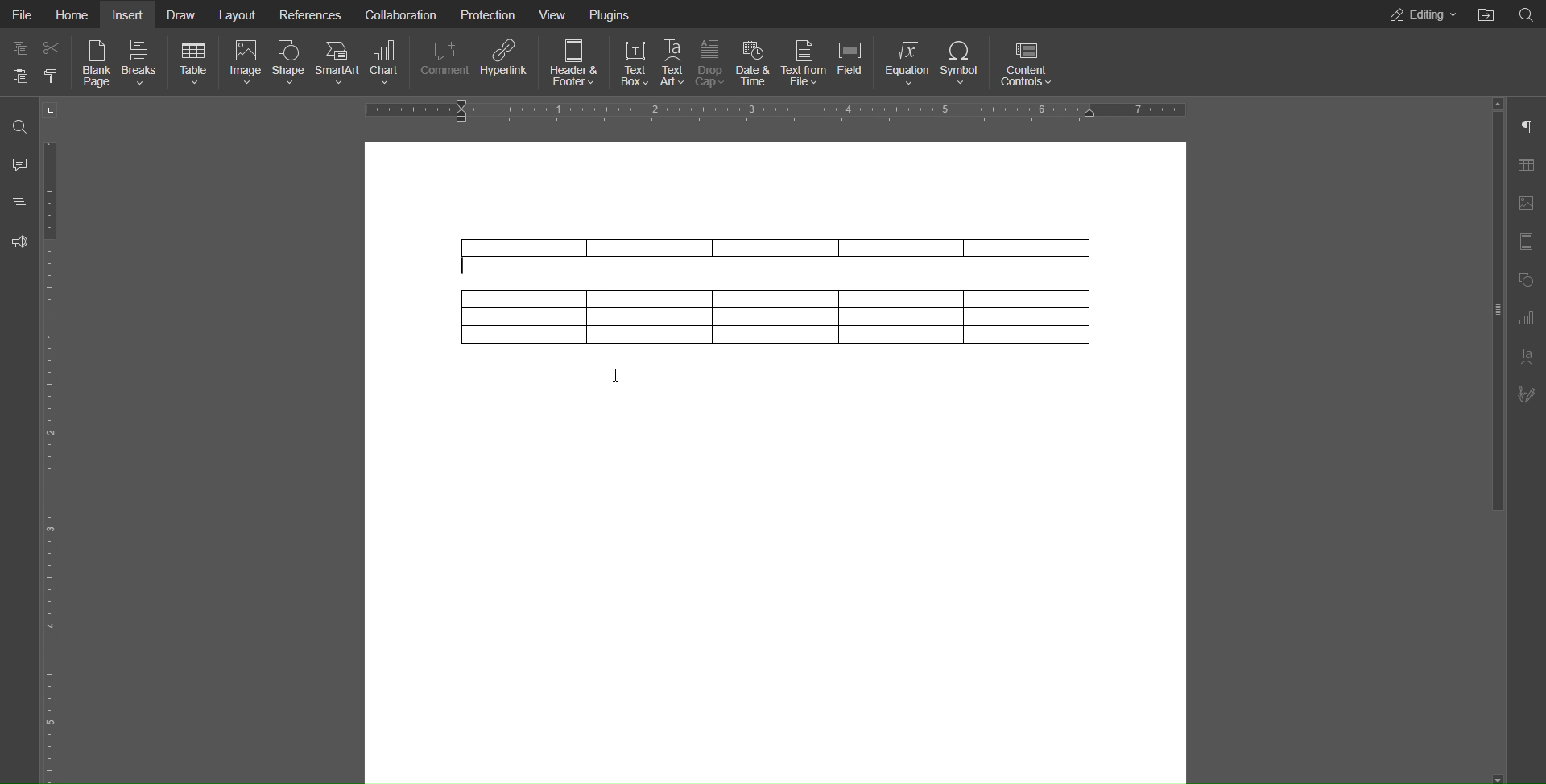 Image resolution: width=1546 pixels, height=784 pixels. What do you see at coordinates (676, 64) in the screenshot?
I see `Text Art` at bounding box center [676, 64].